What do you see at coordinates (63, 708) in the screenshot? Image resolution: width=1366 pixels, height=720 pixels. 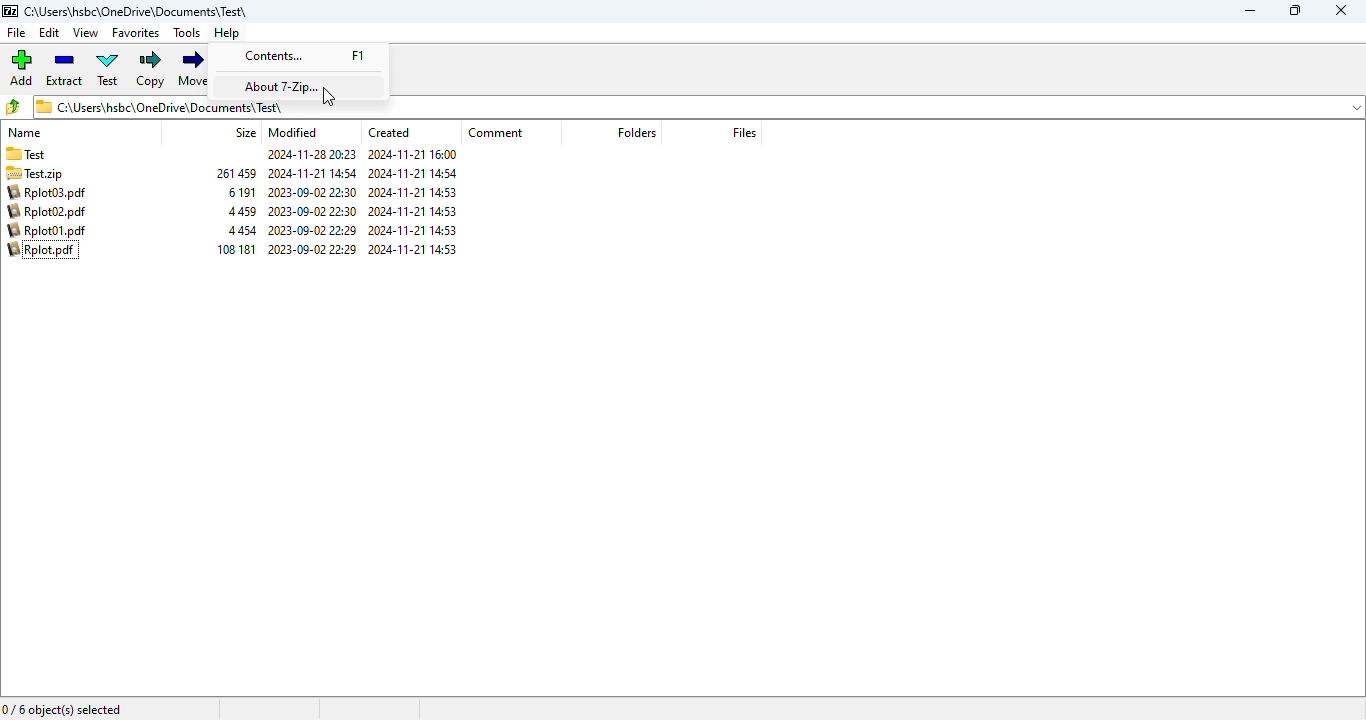 I see `0/6 object(s) selected` at bounding box center [63, 708].